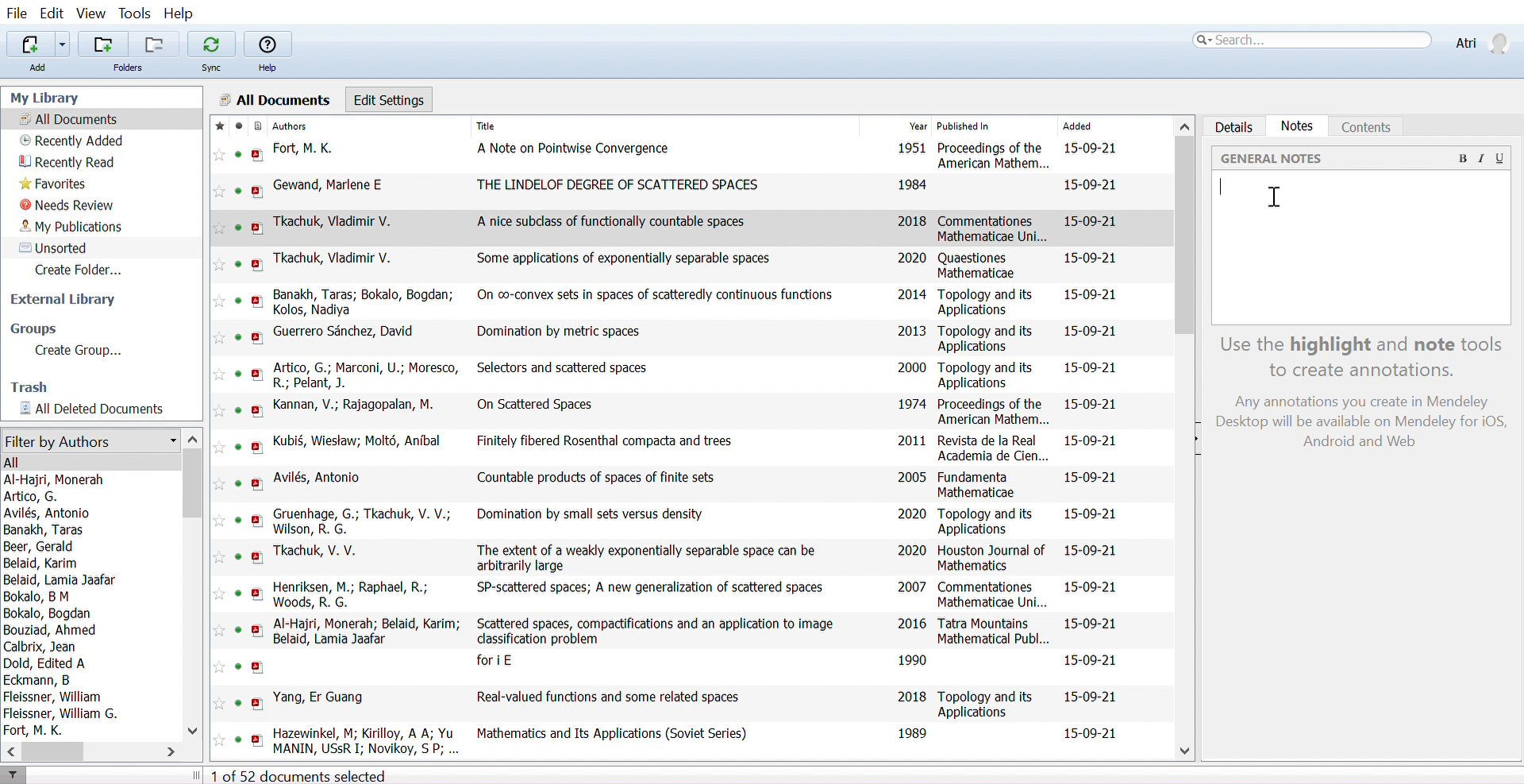 The image size is (1524, 784). I want to click on Move right in filter by authors, so click(175, 751).